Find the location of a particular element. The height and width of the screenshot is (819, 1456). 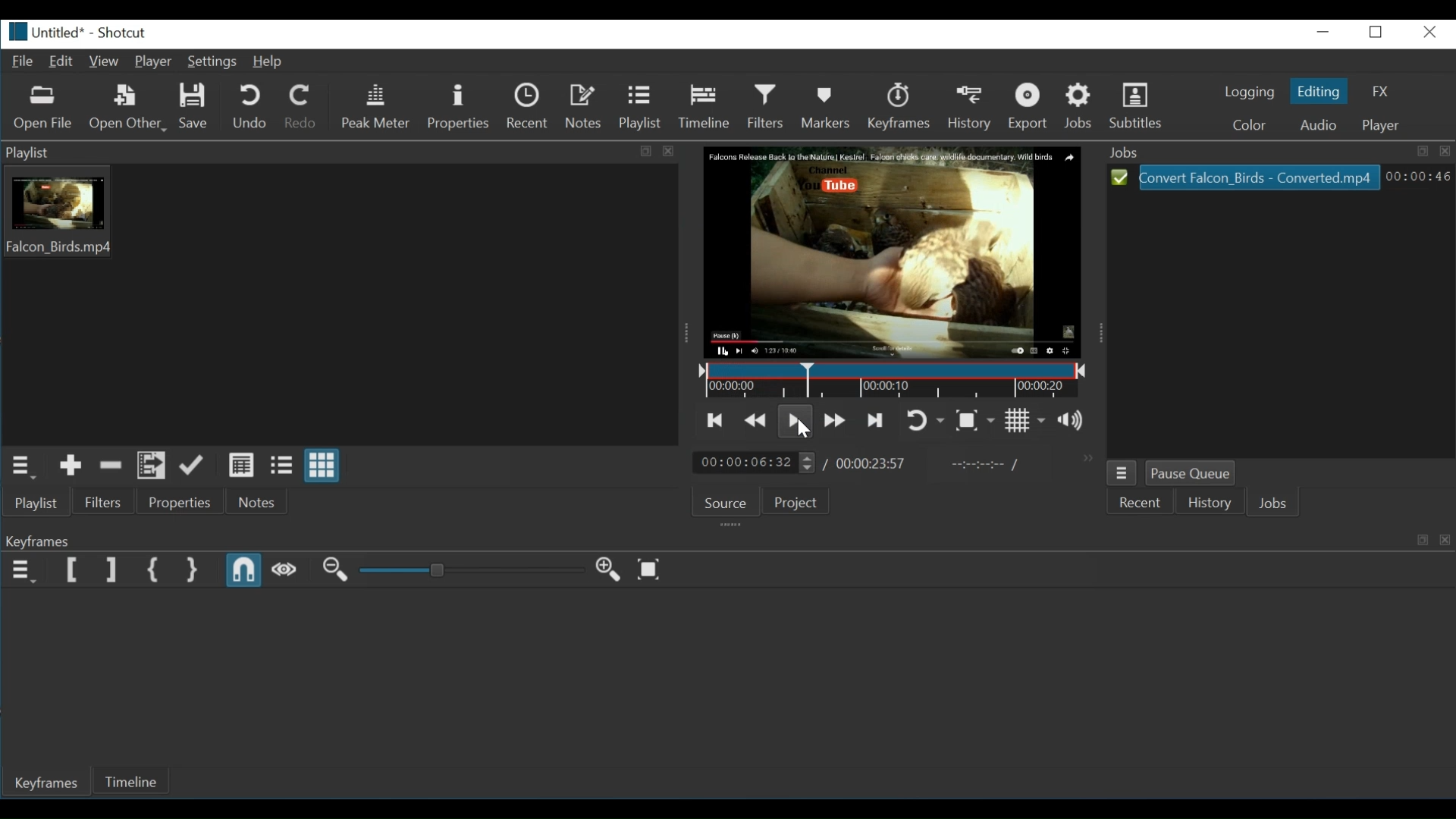

Color is located at coordinates (1249, 125).